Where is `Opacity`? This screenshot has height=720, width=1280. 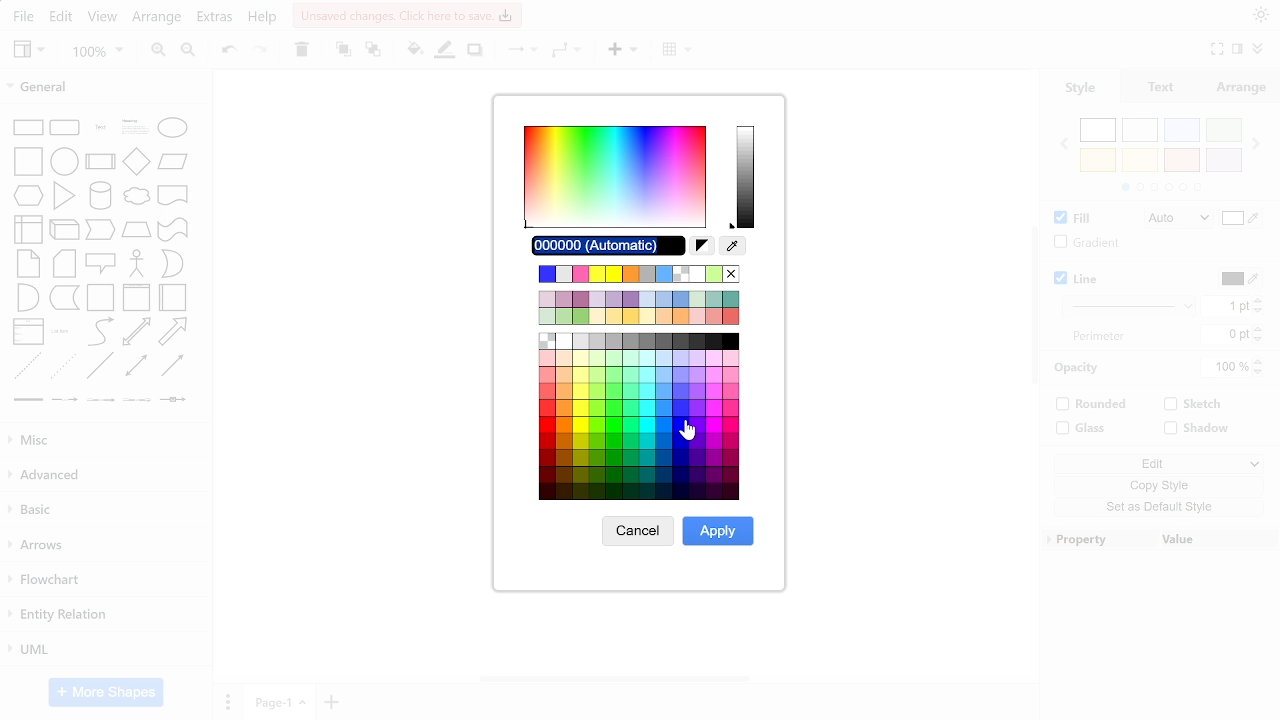 Opacity is located at coordinates (1080, 368).